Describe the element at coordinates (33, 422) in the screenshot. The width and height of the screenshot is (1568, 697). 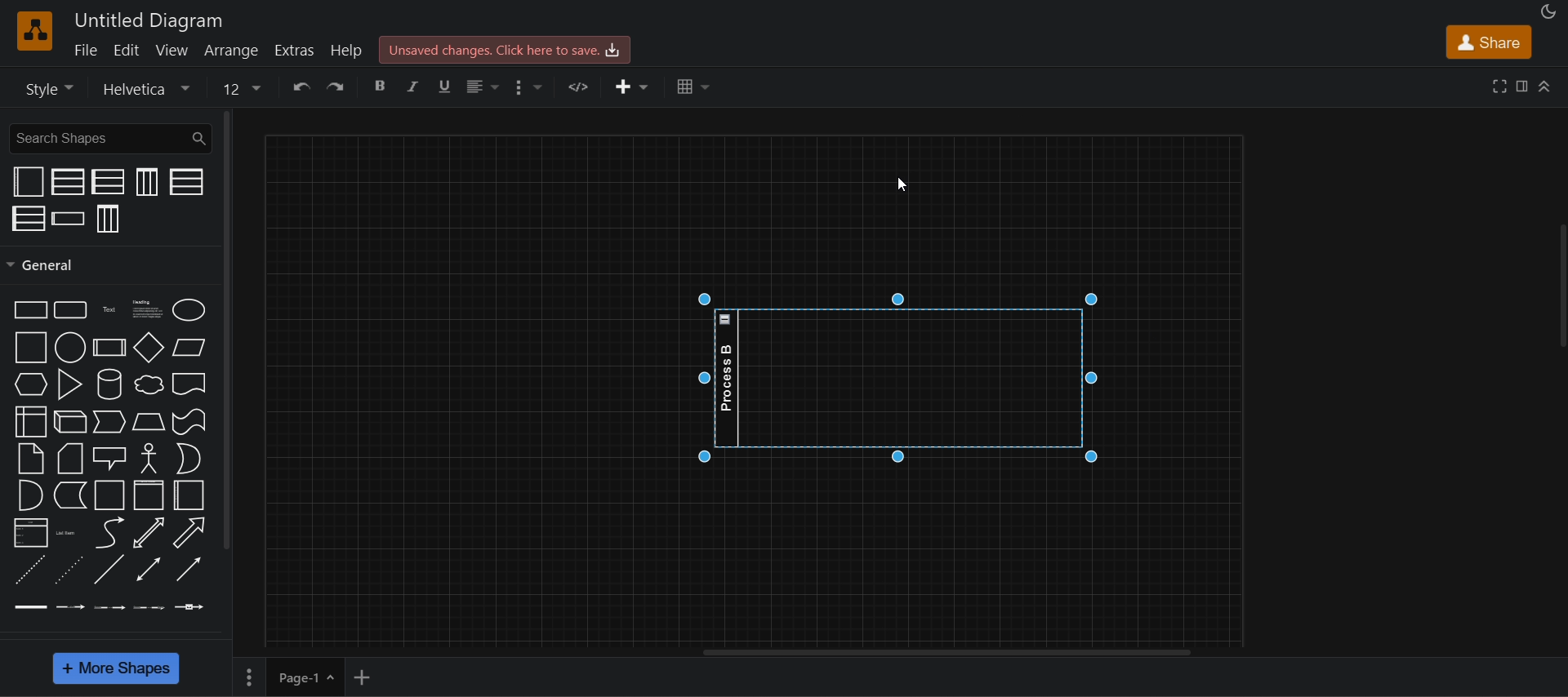
I see `internal storage` at that location.